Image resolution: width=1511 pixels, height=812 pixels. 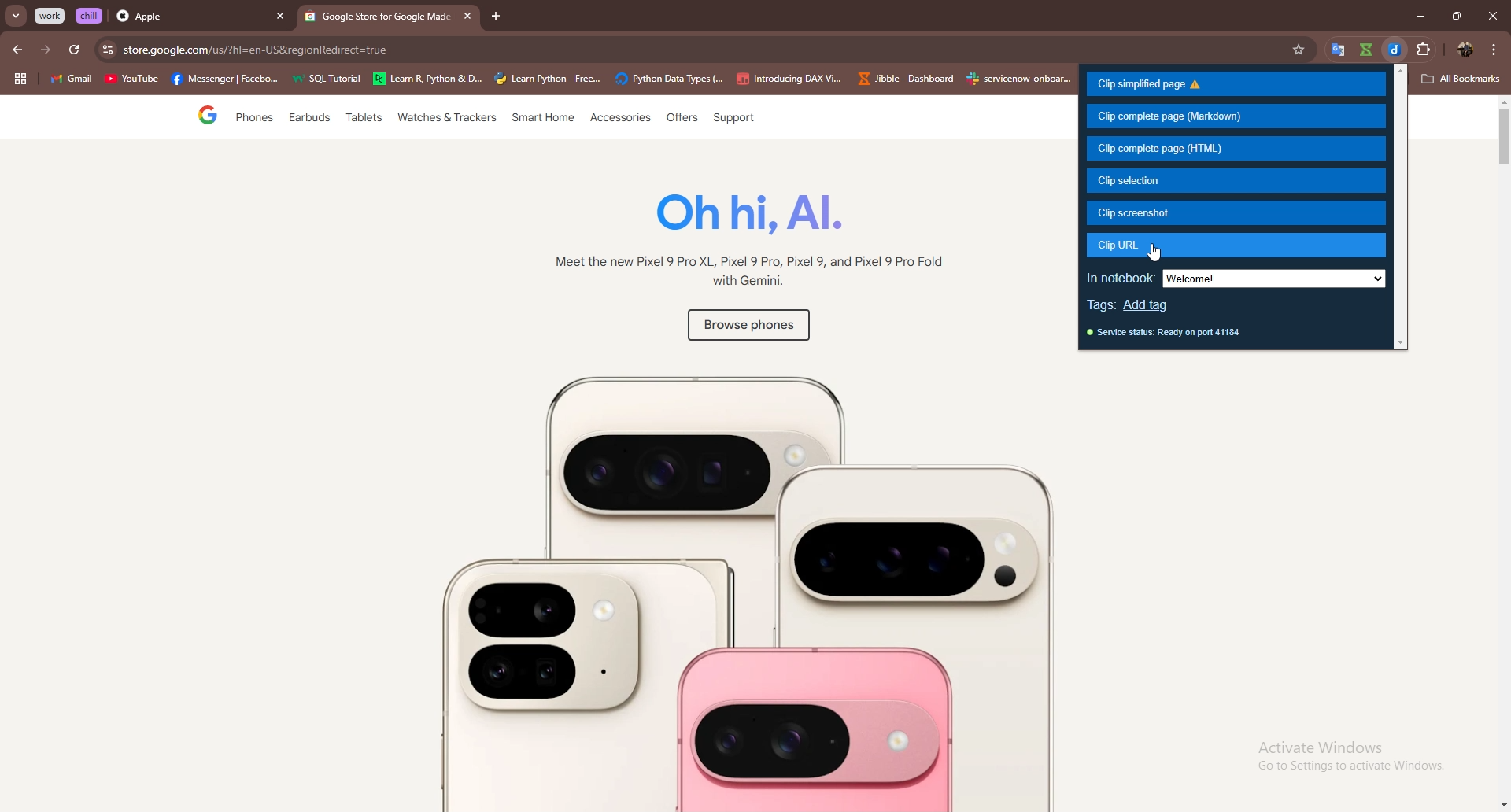 What do you see at coordinates (428, 79) in the screenshot?
I see `Learn R &Pytho` at bounding box center [428, 79].